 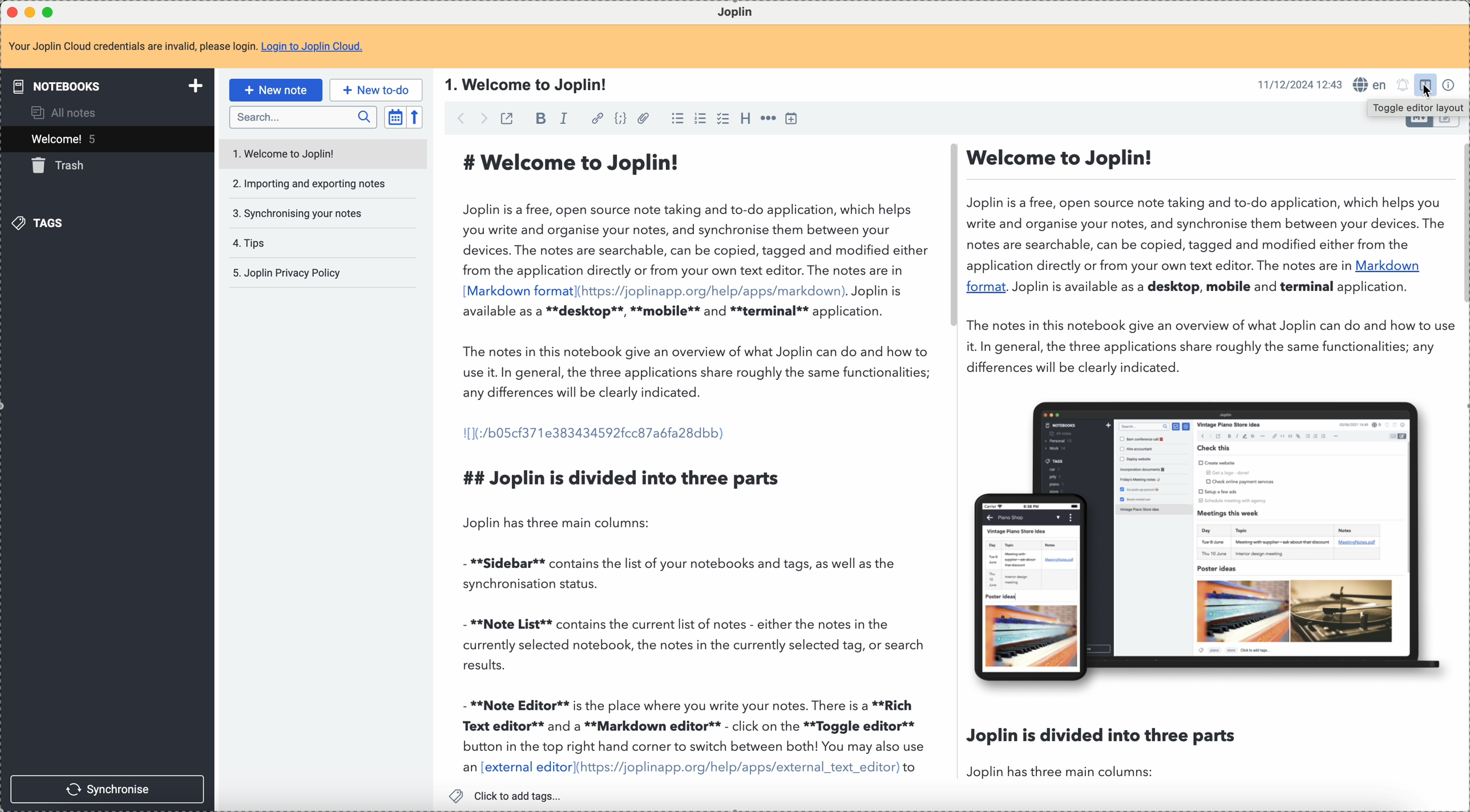 What do you see at coordinates (457, 119) in the screenshot?
I see `back` at bounding box center [457, 119].